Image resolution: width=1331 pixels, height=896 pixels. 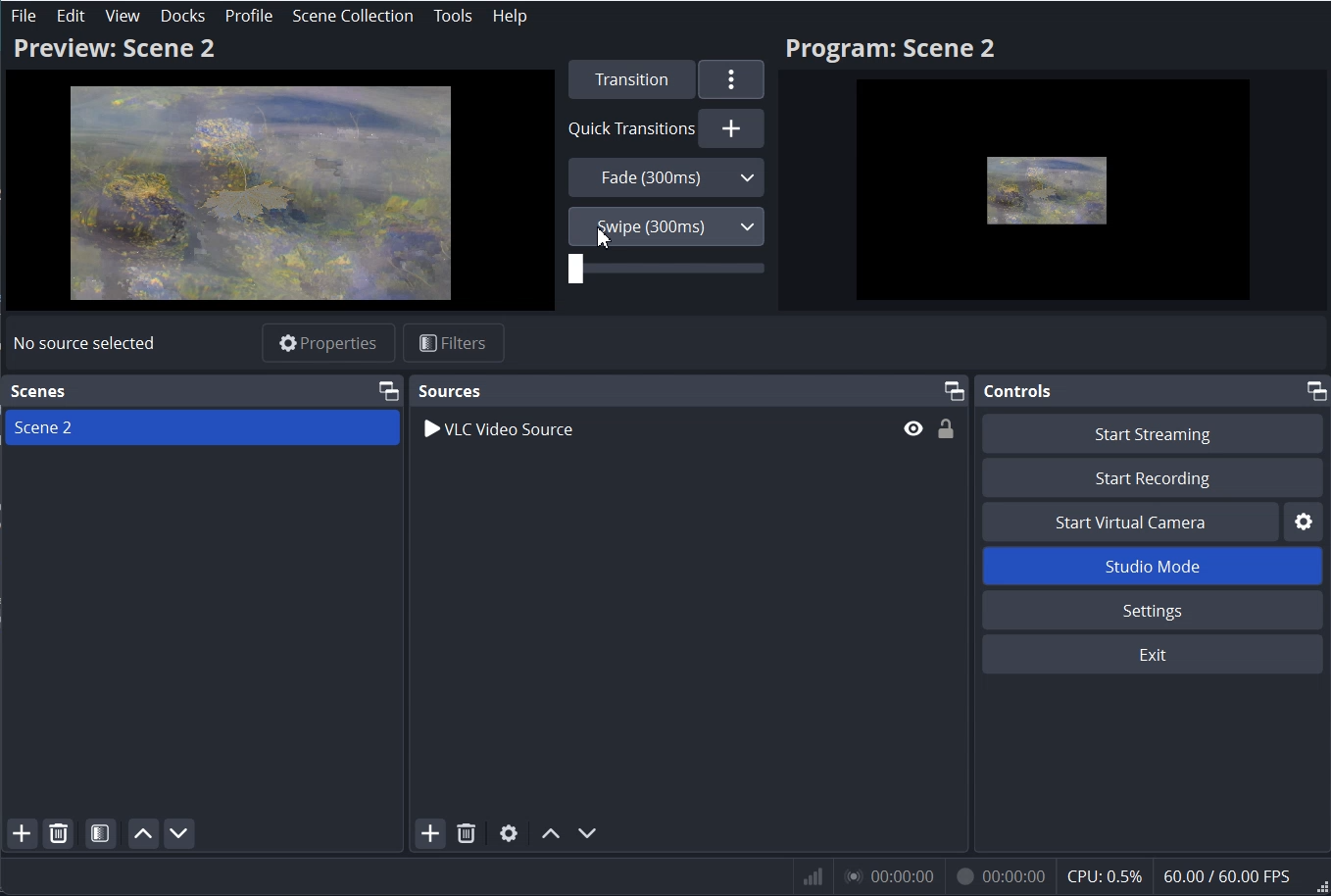 What do you see at coordinates (465, 833) in the screenshot?
I see `Remove Selected Source` at bounding box center [465, 833].